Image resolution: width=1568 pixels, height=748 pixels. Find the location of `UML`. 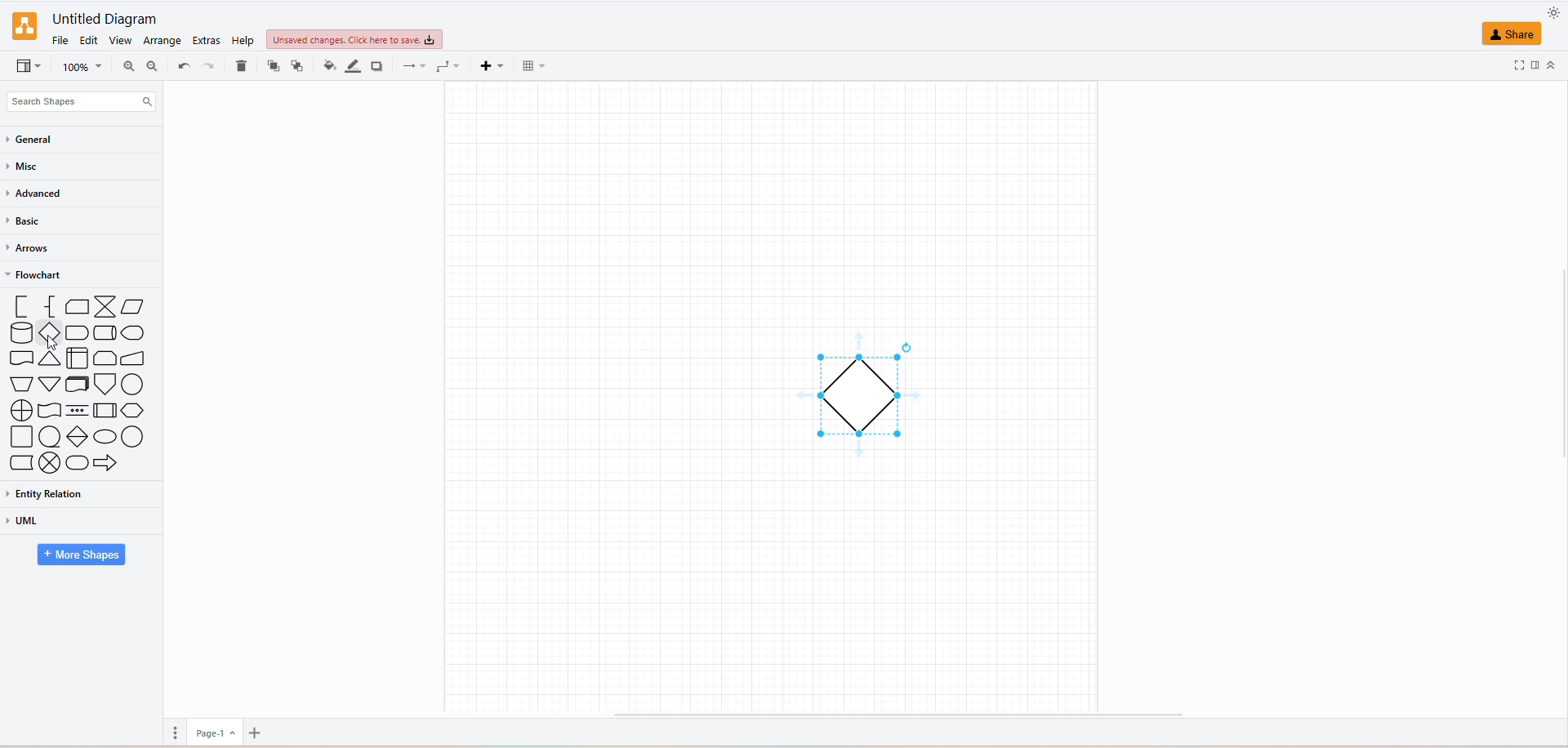

UML is located at coordinates (55, 521).